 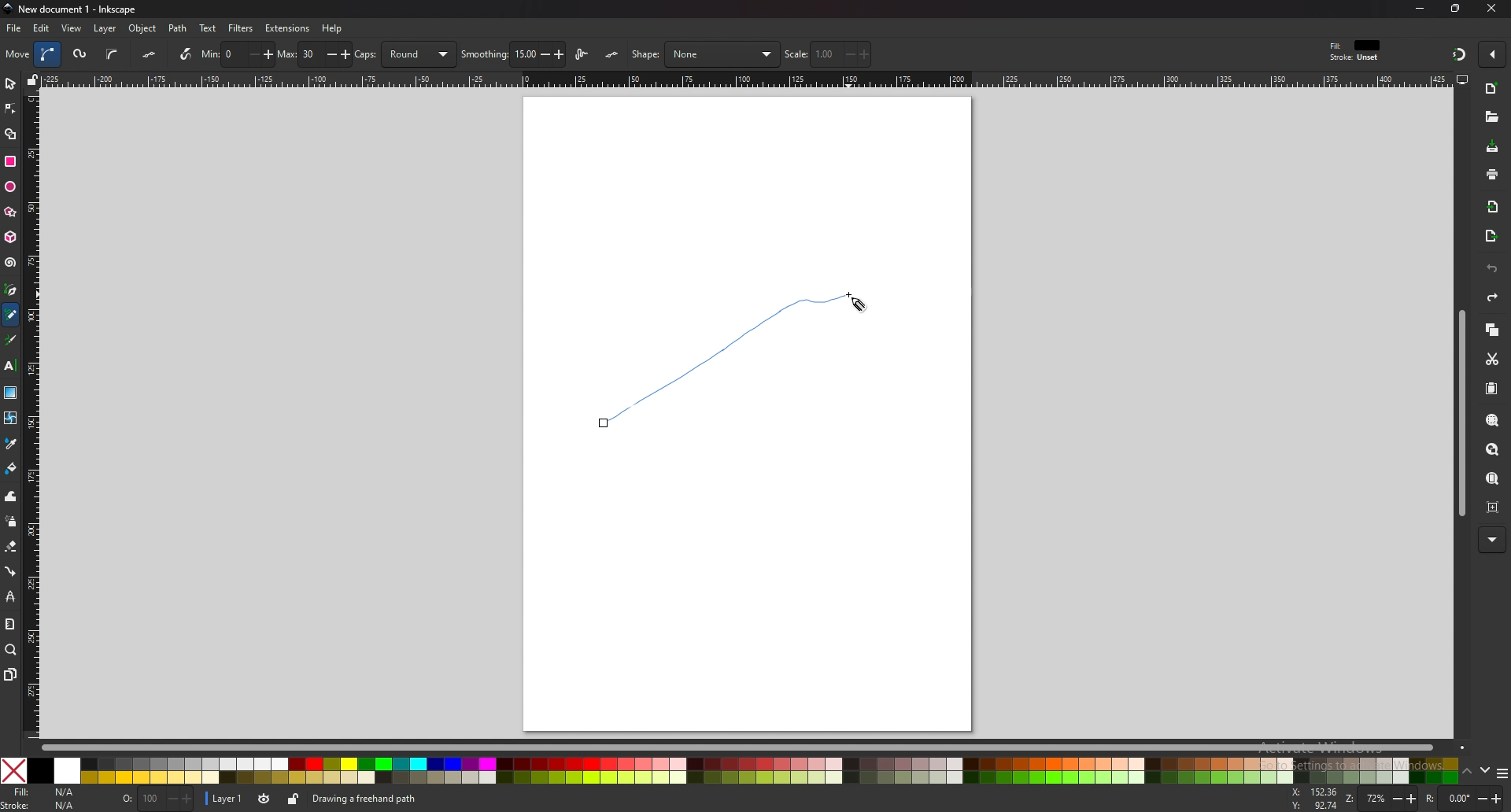 What do you see at coordinates (1490, 359) in the screenshot?
I see `cut` at bounding box center [1490, 359].